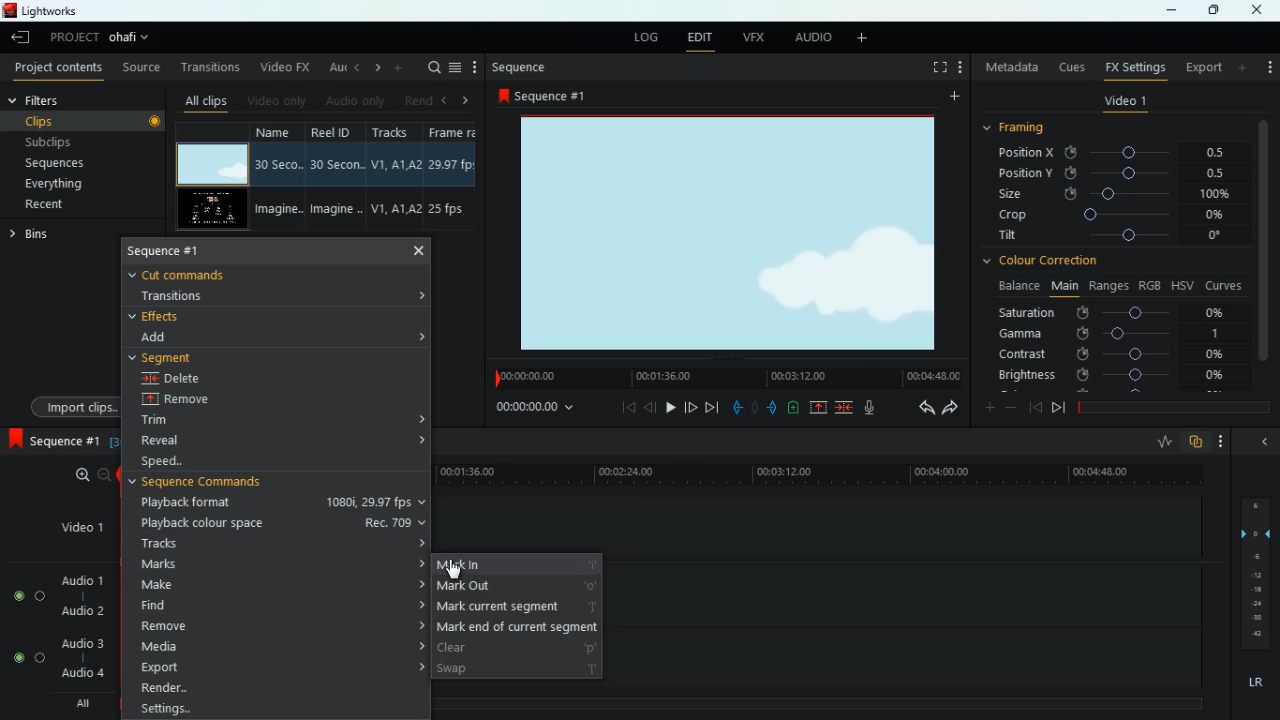  I want to click on framing, so click(1016, 128).